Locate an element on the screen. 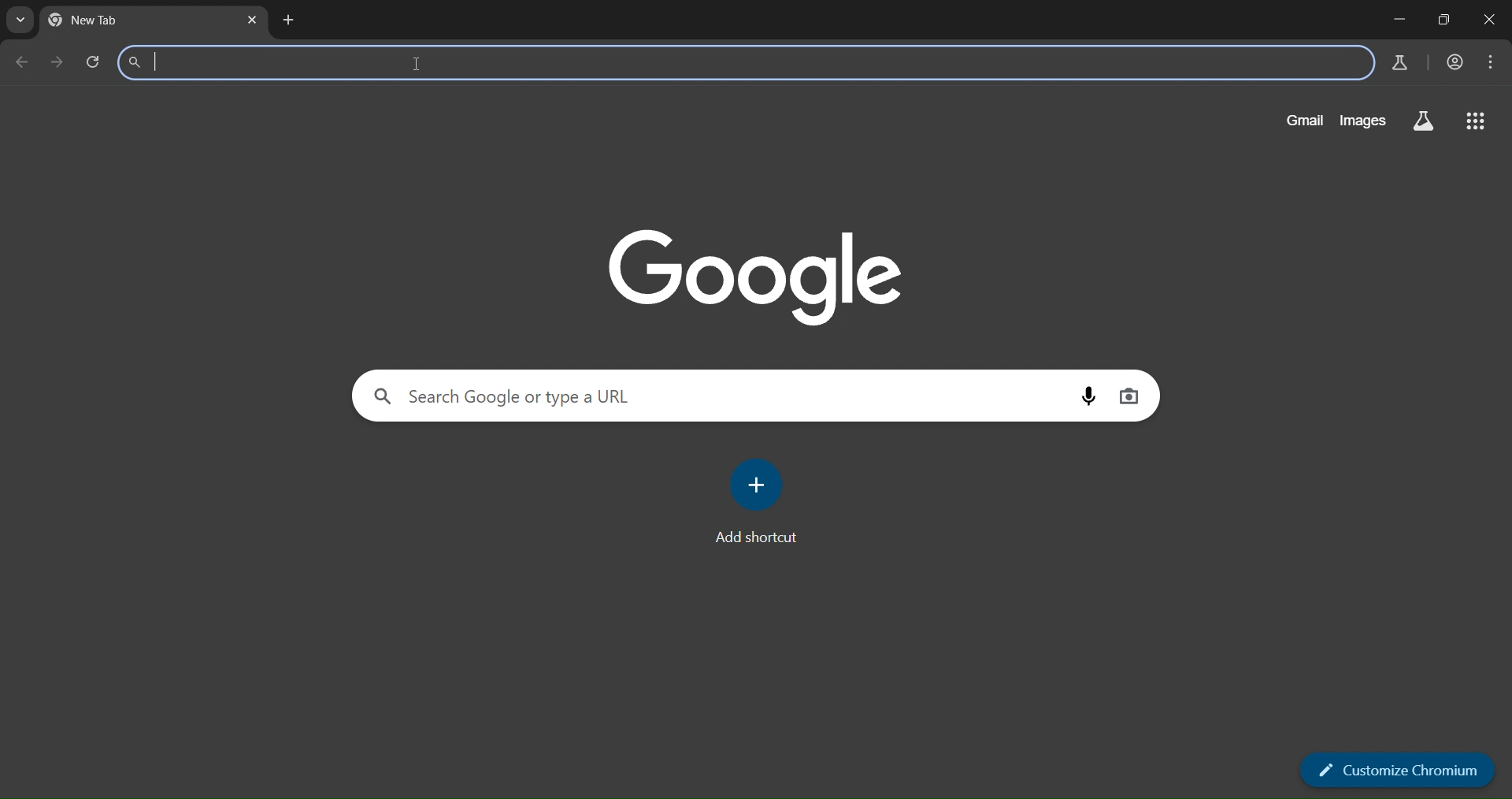 Image resolution: width=1512 pixels, height=799 pixels. search labs is located at coordinates (1425, 120).